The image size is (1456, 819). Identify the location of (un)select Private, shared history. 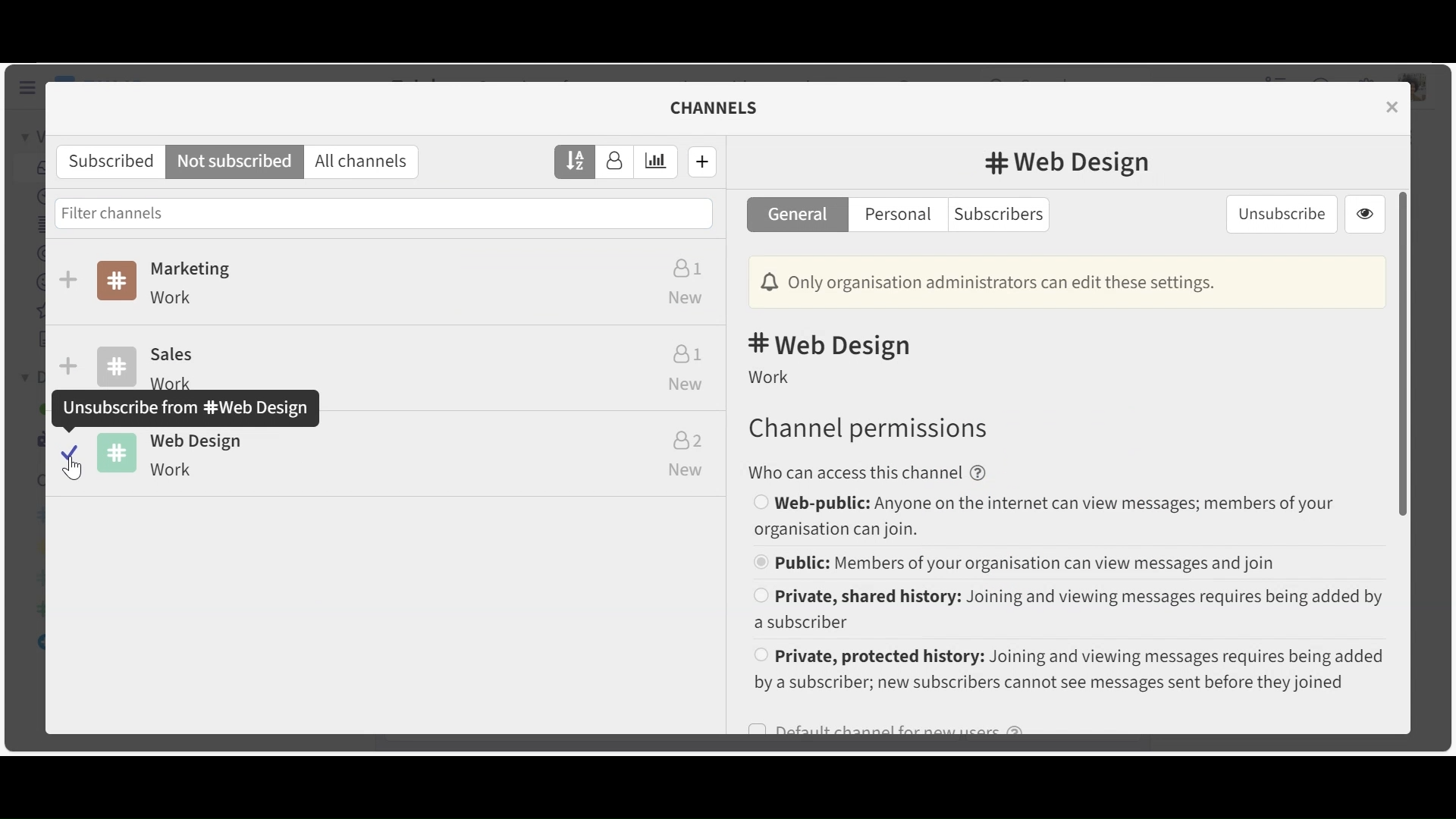
(1066, 610).